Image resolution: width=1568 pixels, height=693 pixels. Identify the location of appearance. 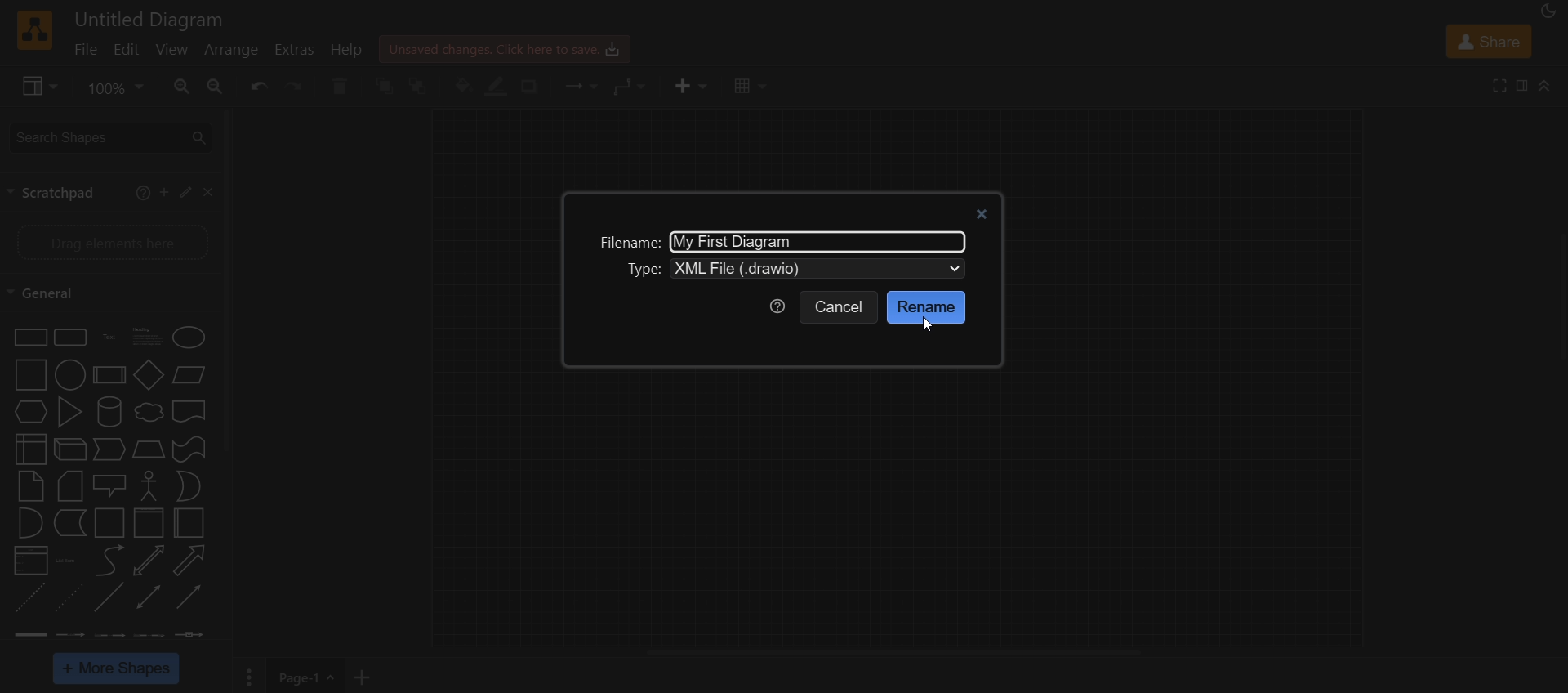
(1546, 12).